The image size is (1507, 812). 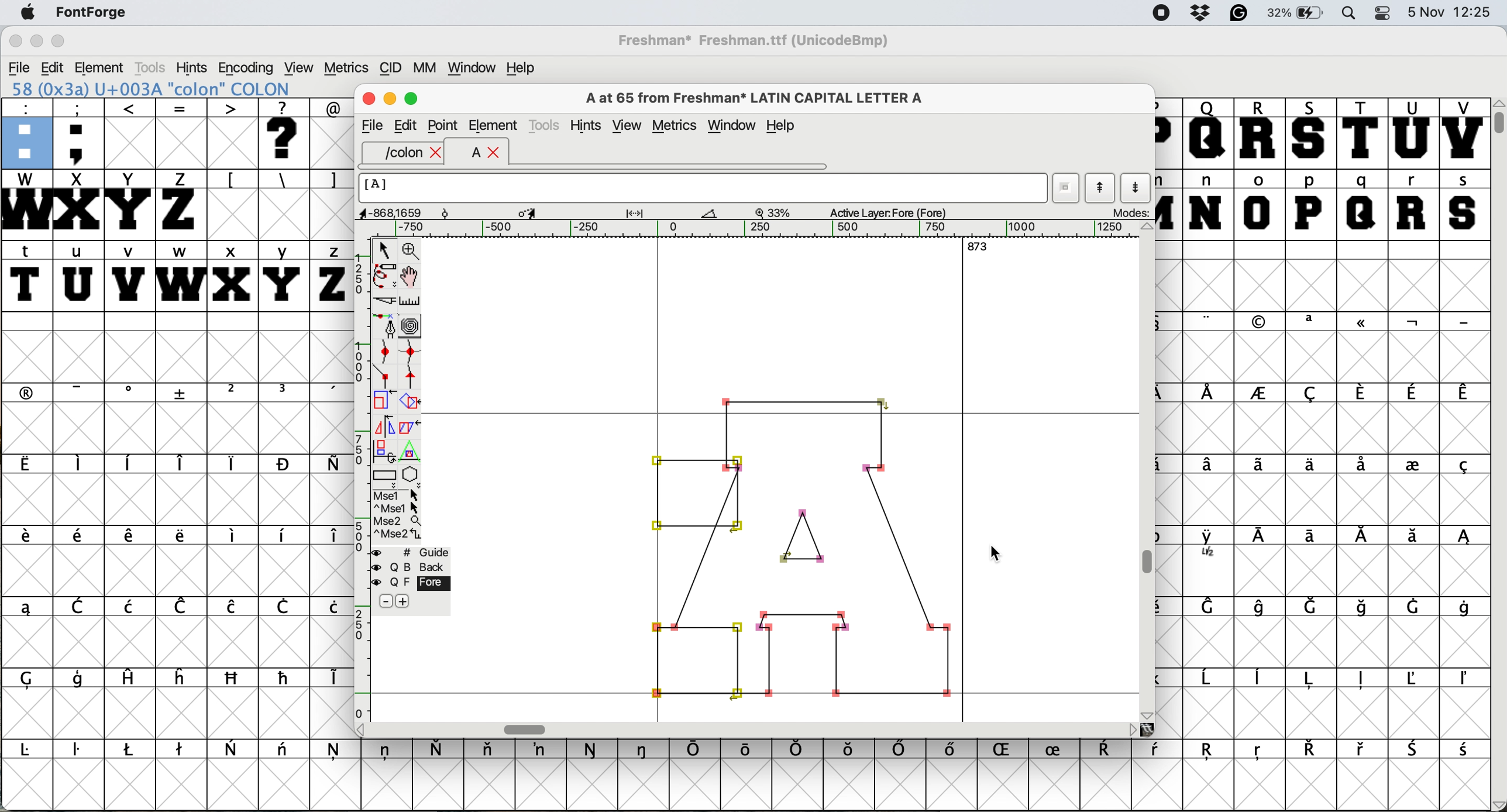 What do you see at coordinates (234, 394) in the screenshot?
I see `` at bounding box center [234, 394].